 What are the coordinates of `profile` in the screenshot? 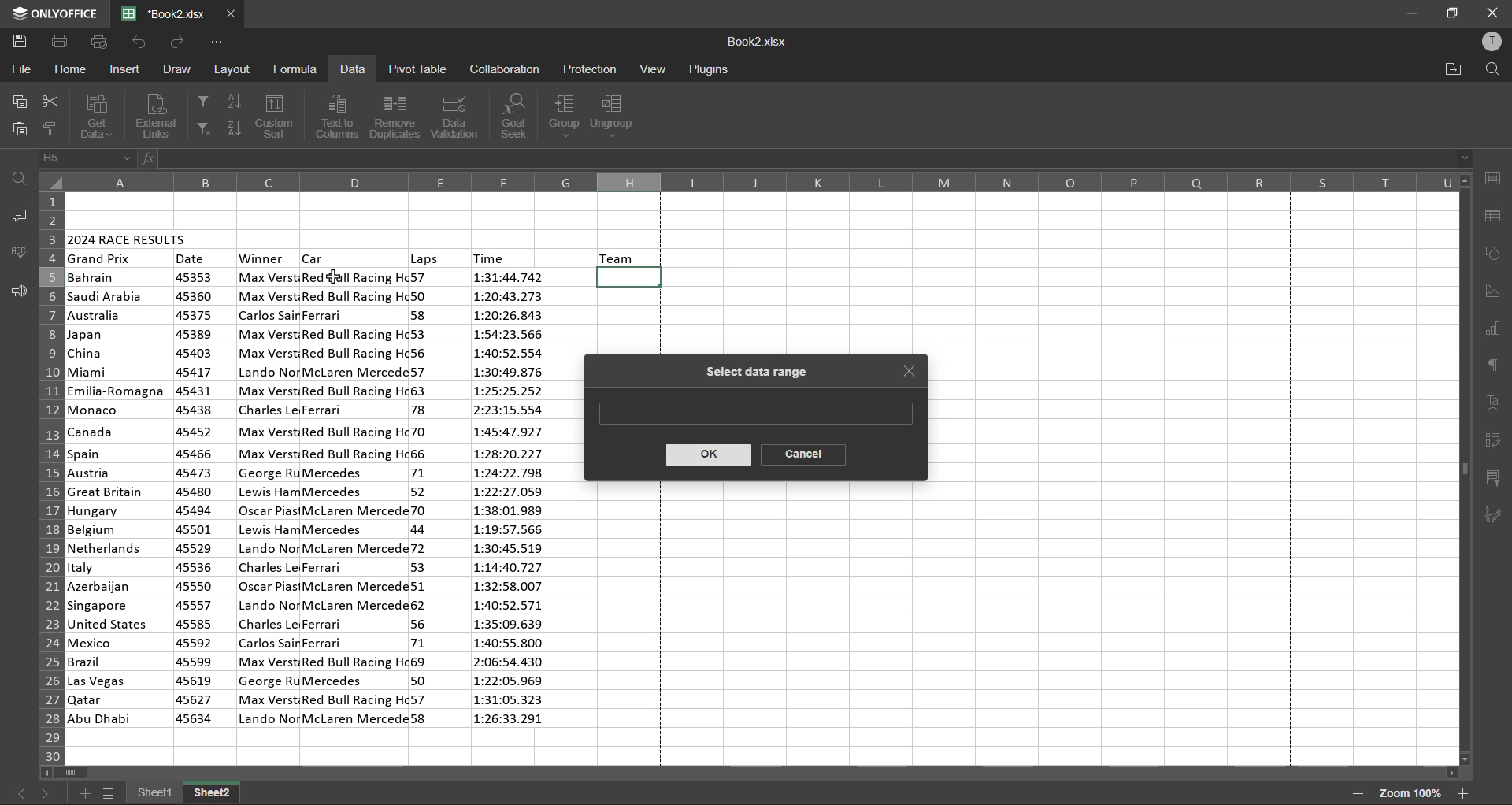 It's located at (1491, 44).